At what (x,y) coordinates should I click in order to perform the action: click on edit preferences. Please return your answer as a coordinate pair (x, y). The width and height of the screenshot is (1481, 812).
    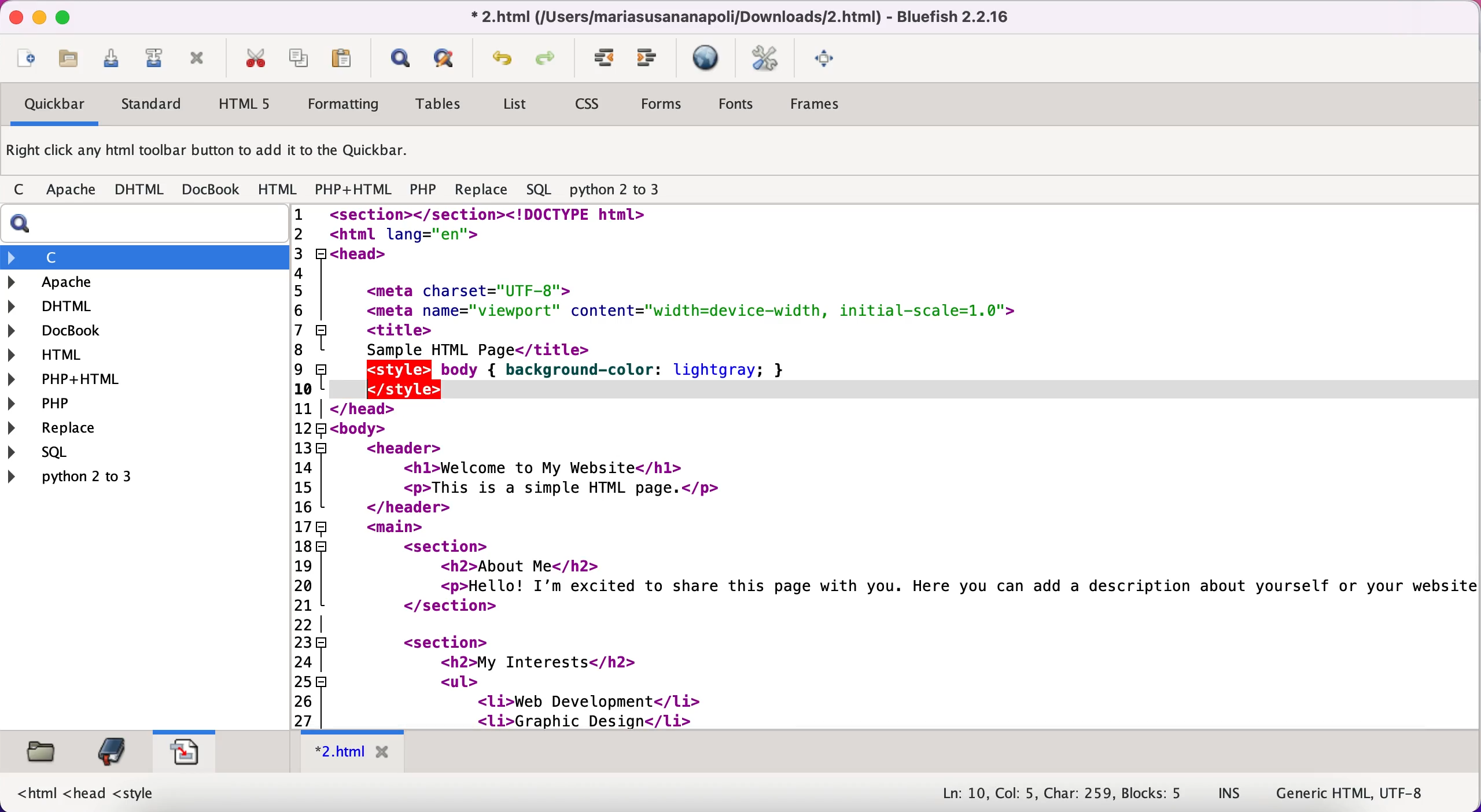
    Looking at the image, I should click on (765, 60).